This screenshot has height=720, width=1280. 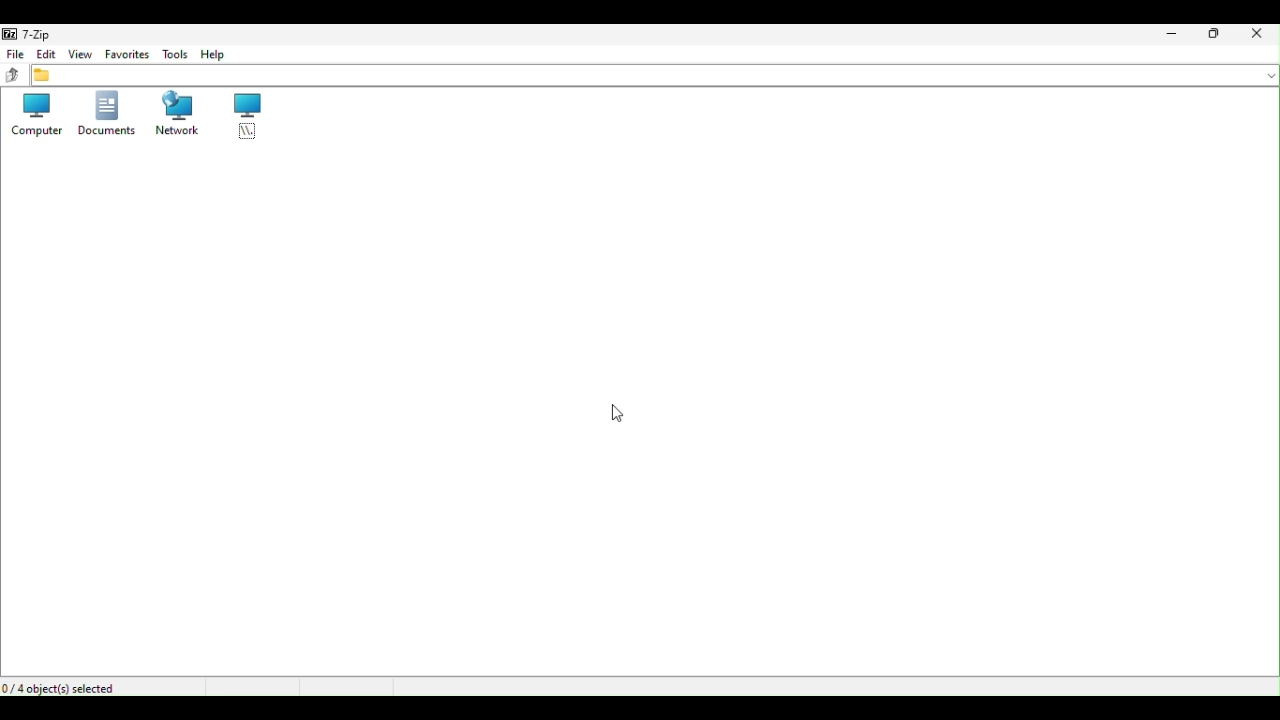 What do you see at coordinates (615, 413) in the screenshot?
I see `Mouse` at bounding box center [615, 413].